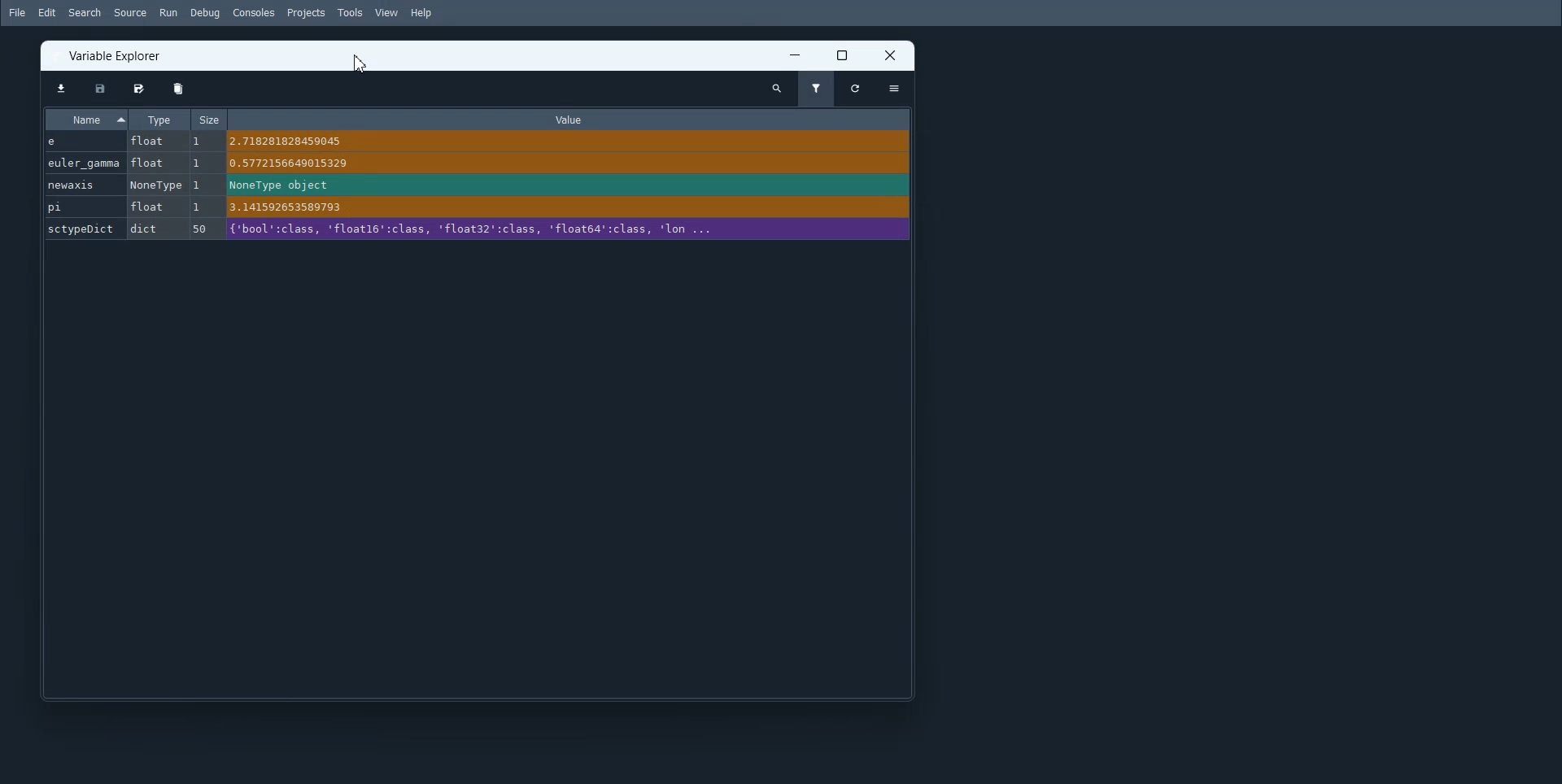 This screenshot has width=1562, height=784. Describe the element at coordinates (844, 55) in the screenshot. I see `Maximize` at that location.